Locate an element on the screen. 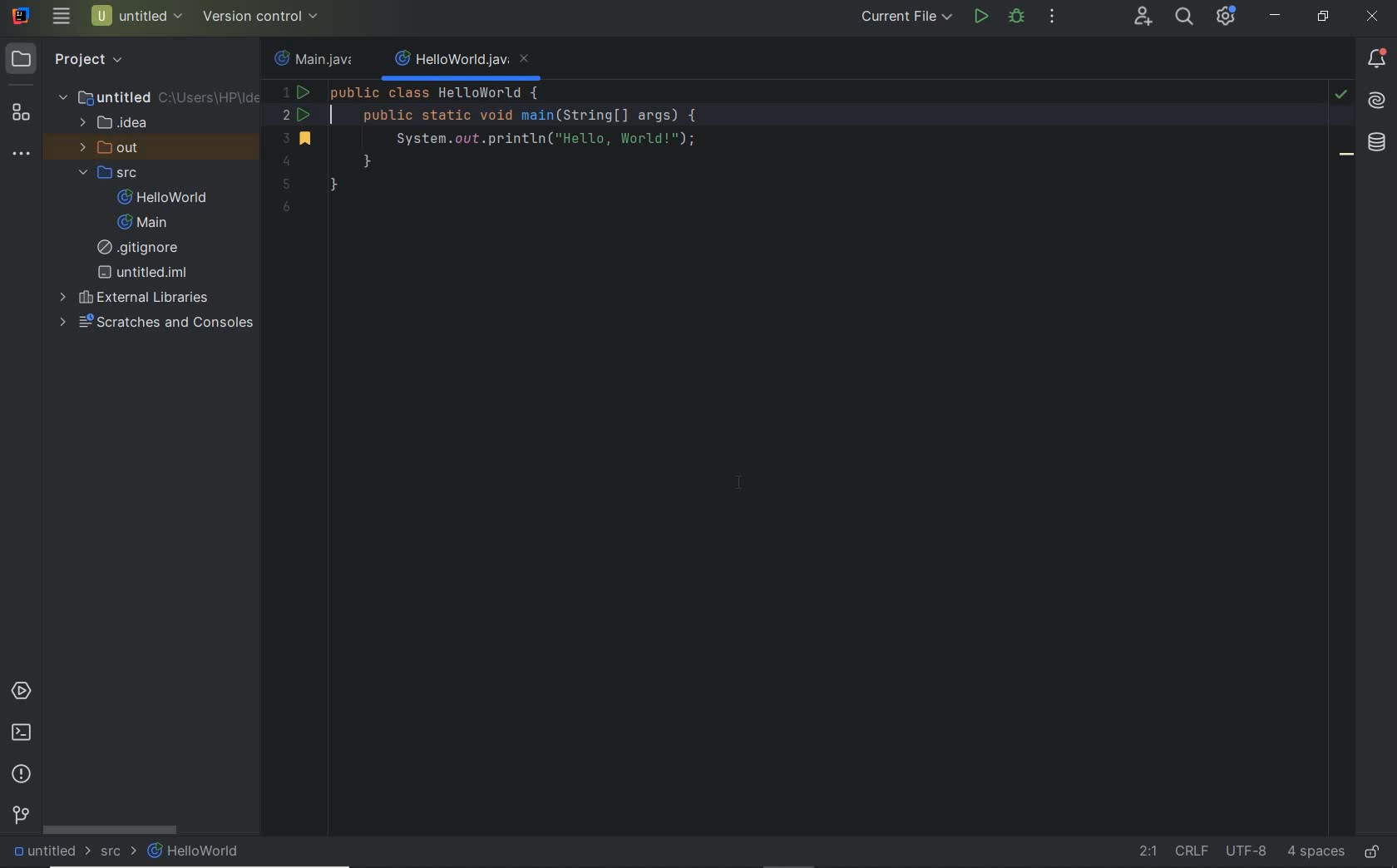 This screenshot has height=868, width=1397. system name is located at coordinates (22, 15).